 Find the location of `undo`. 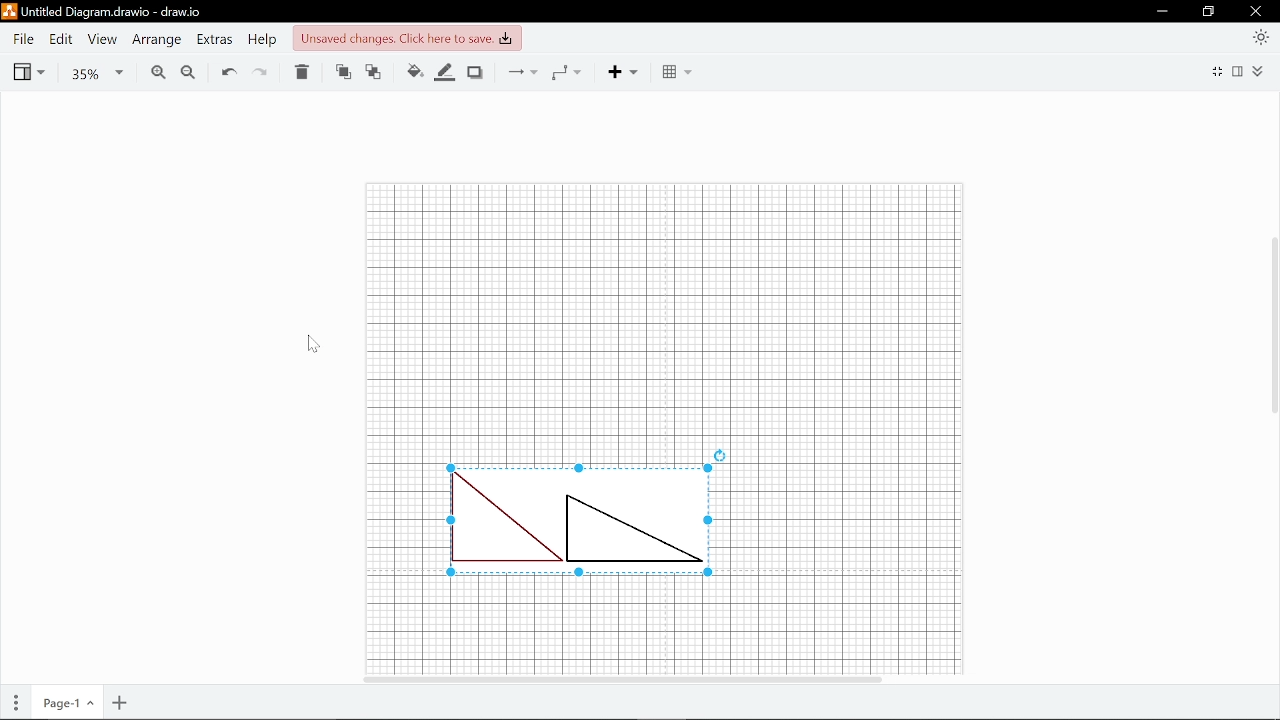

undo is located at coordinates (225, 72).